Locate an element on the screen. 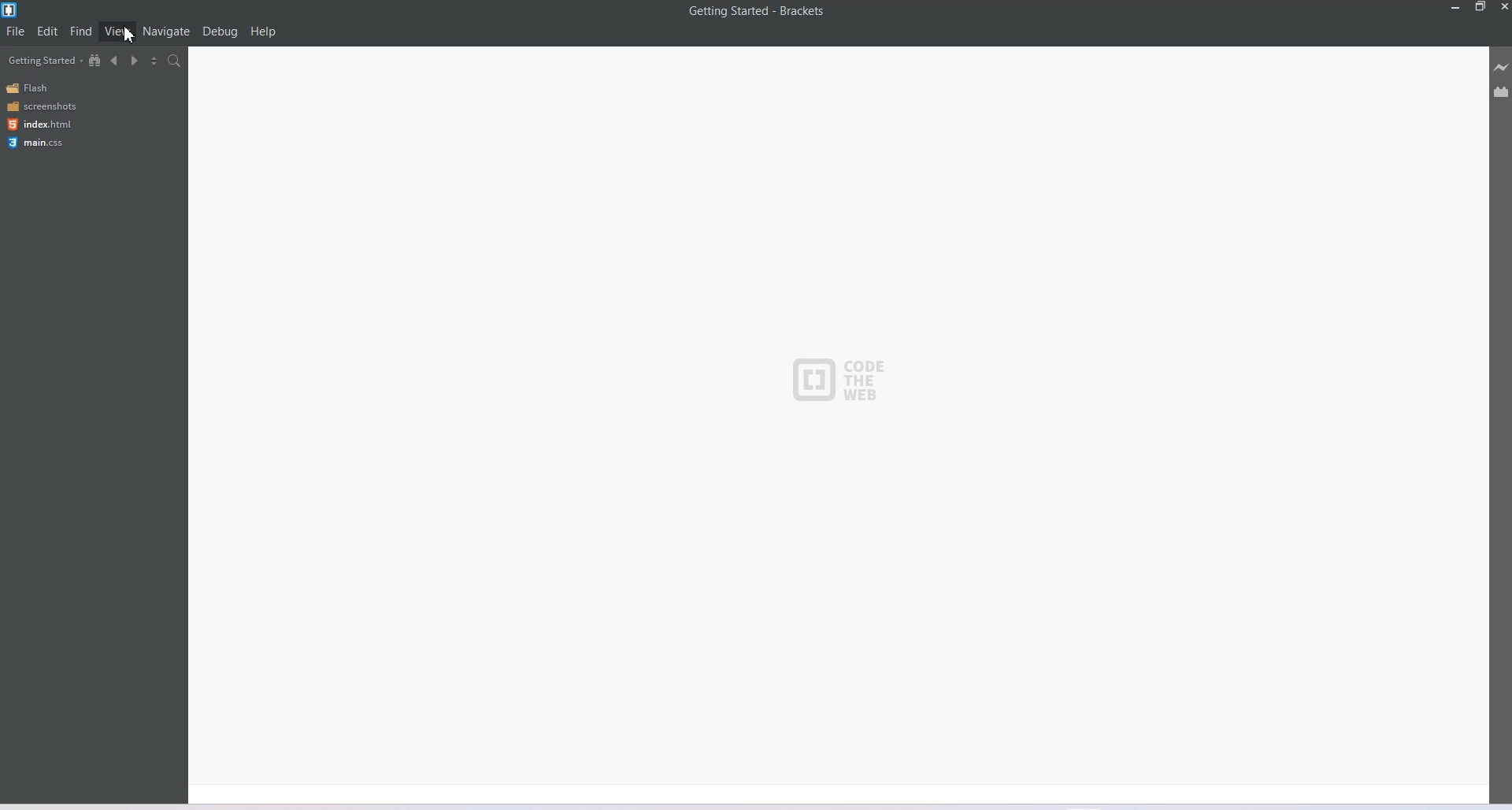 Image resolution: width=1512 pixels, height=810 pixels. index.html is located at coordinates (39, 124).